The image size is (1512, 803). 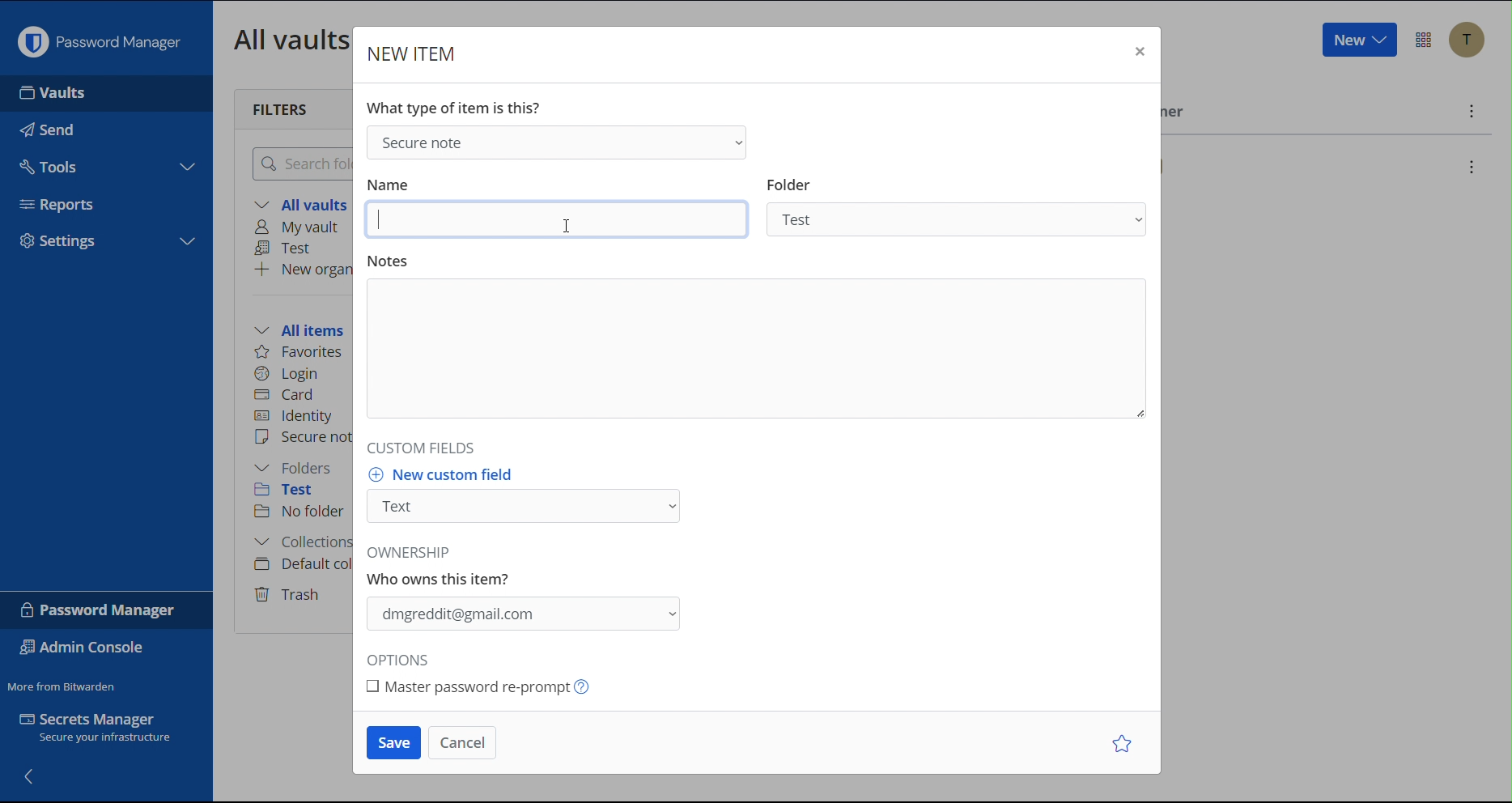 I want to click on Notes, so click(x=754, y=343).